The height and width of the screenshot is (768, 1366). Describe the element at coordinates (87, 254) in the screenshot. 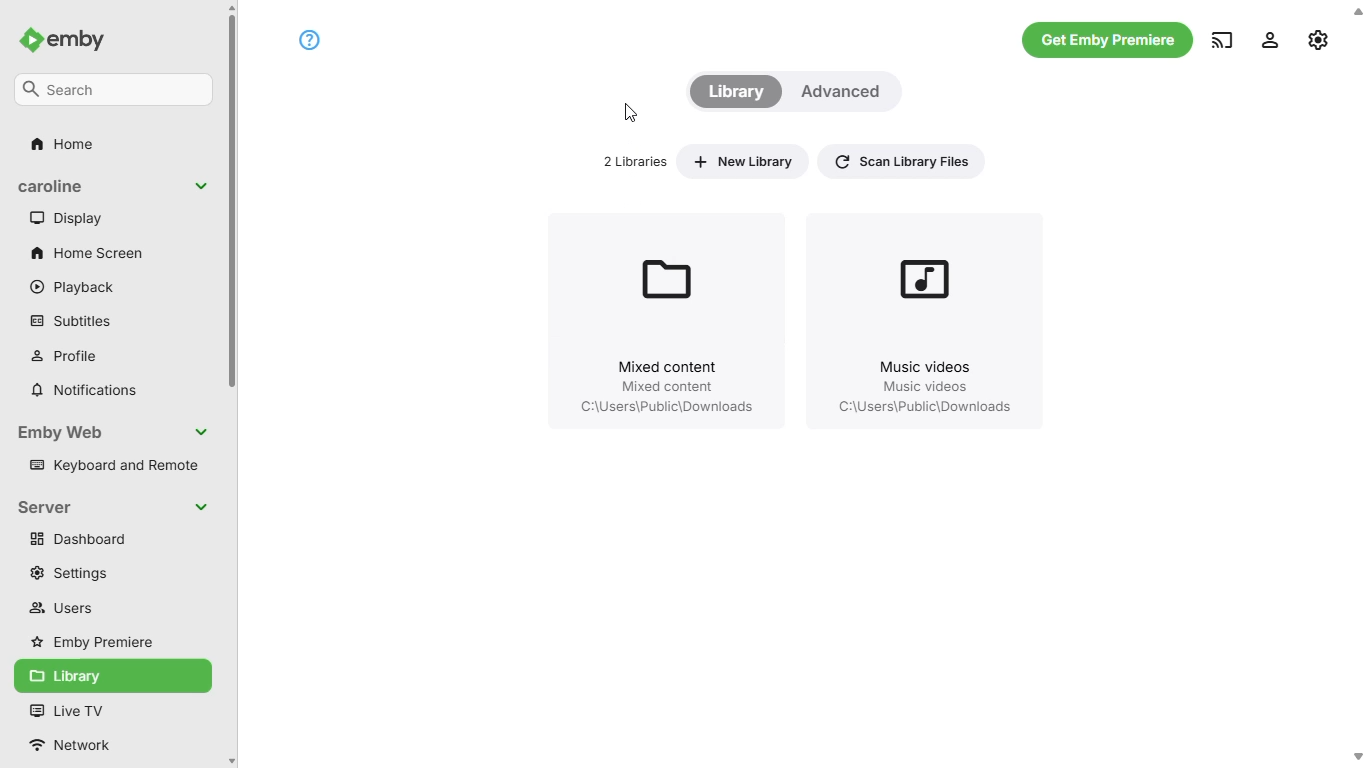

I see `home screen` at that location.